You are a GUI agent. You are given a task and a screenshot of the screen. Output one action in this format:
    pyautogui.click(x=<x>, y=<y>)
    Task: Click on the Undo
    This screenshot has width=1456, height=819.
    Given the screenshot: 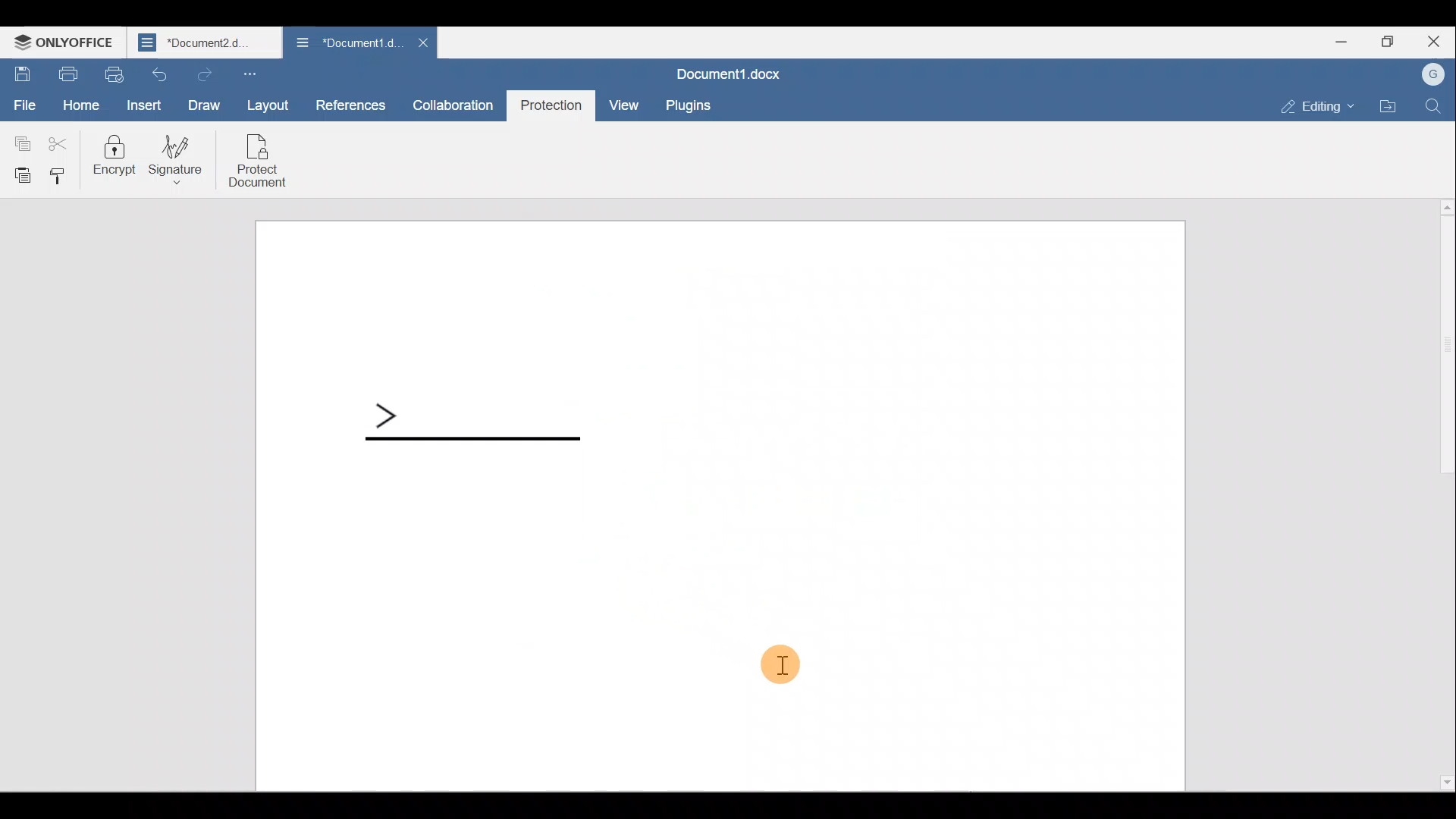 What is the action you would take?
    pyautogui.click(x=158, y=74)
    